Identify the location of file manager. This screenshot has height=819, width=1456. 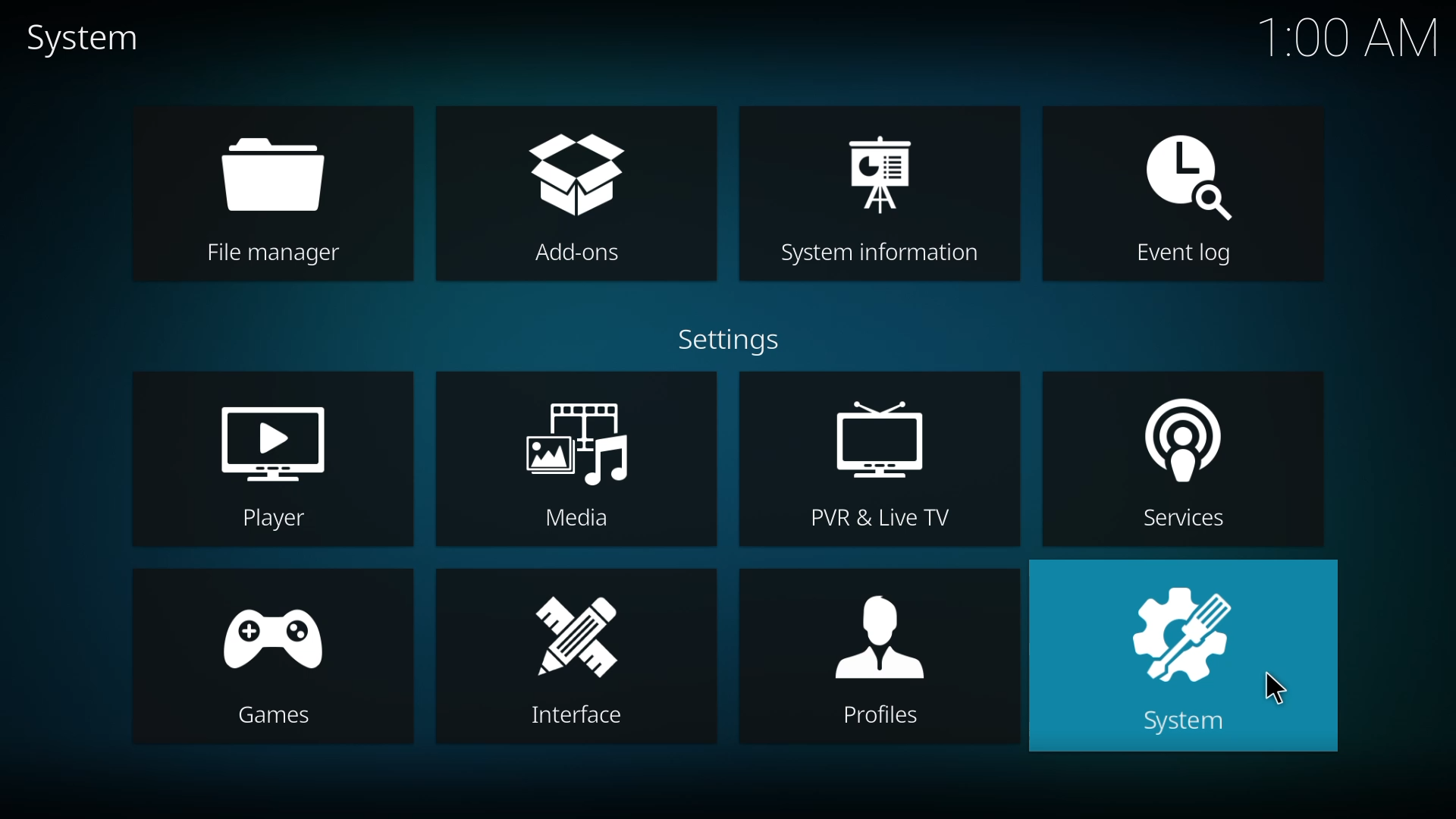
(275, 198).